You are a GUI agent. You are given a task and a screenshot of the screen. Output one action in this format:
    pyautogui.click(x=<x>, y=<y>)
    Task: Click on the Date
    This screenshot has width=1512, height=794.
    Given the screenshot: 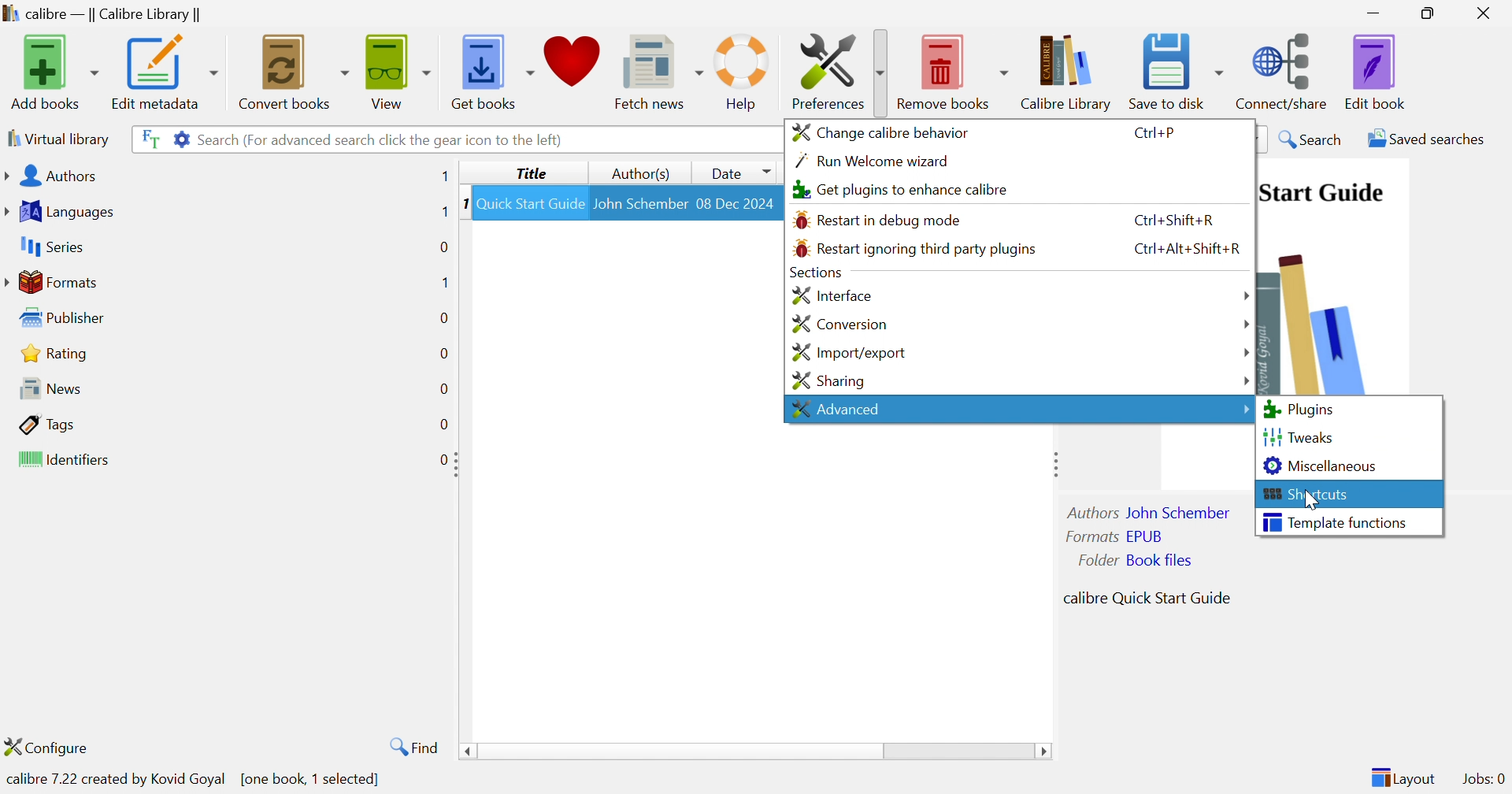 What is the action you would take?
    pyautogui.click(x=737, y=172)
    